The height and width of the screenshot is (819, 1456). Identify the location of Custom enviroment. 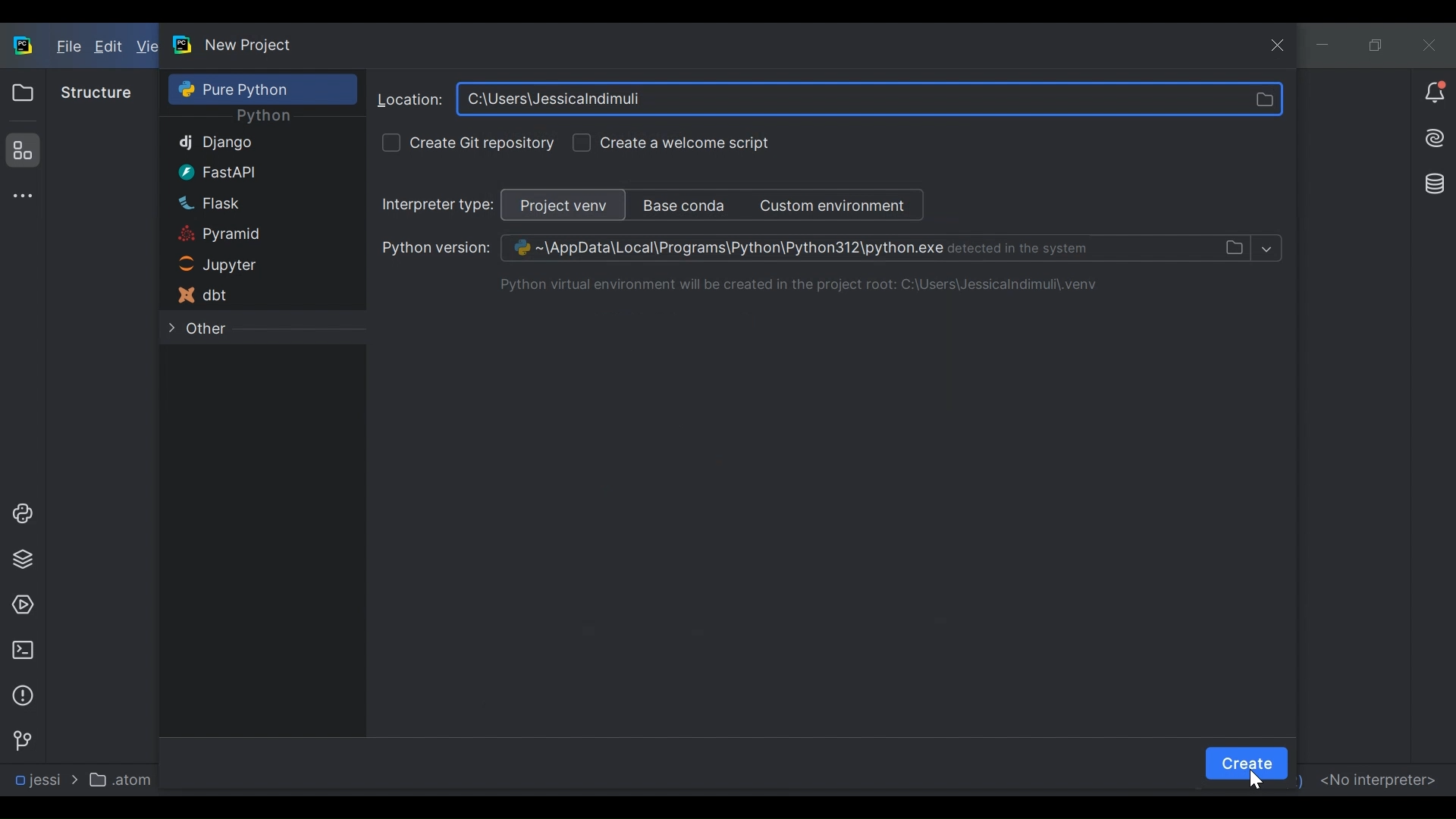
(833, 209).